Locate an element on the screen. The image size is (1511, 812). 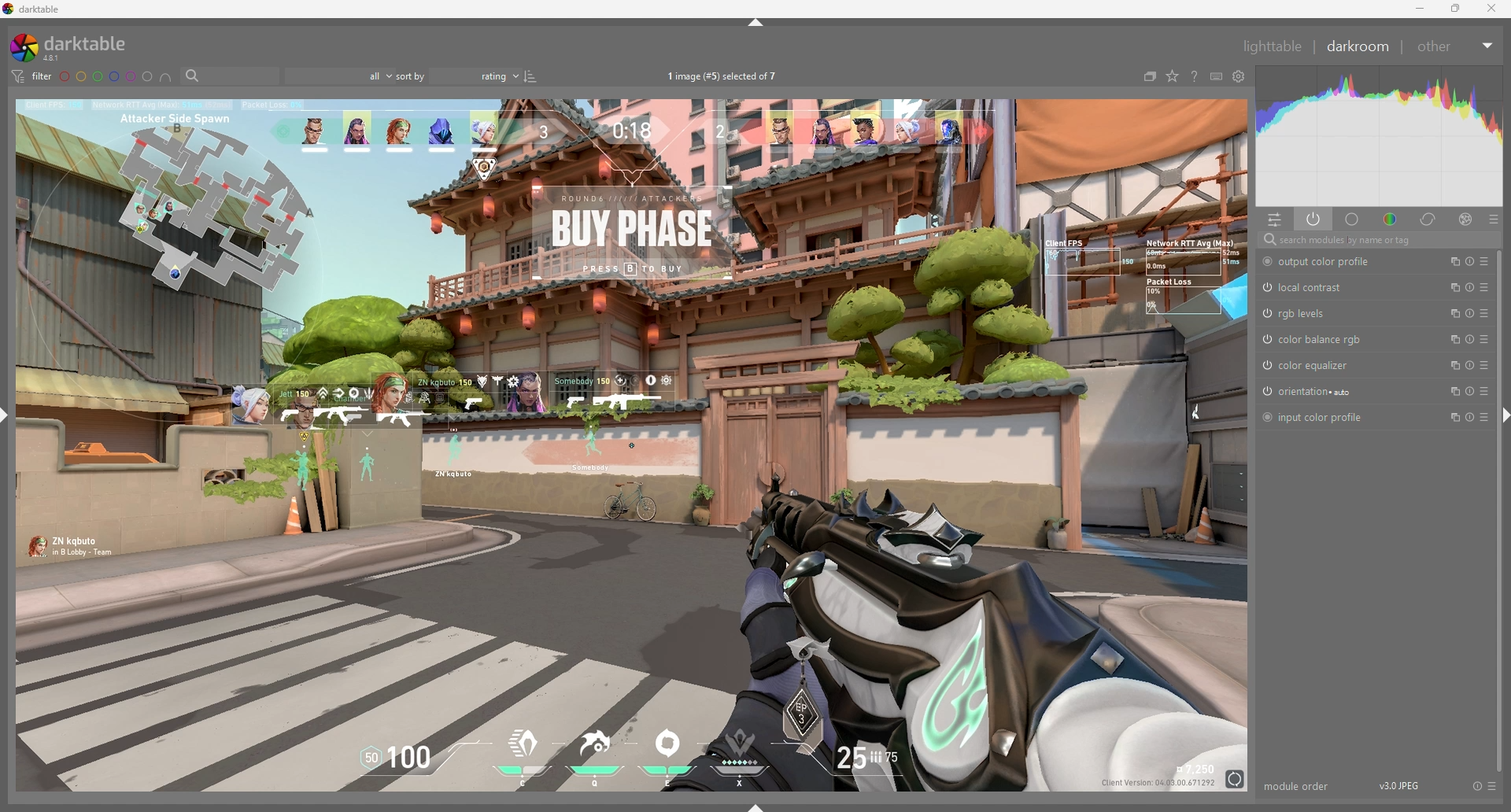
base is located at coordinates (1354, 219).